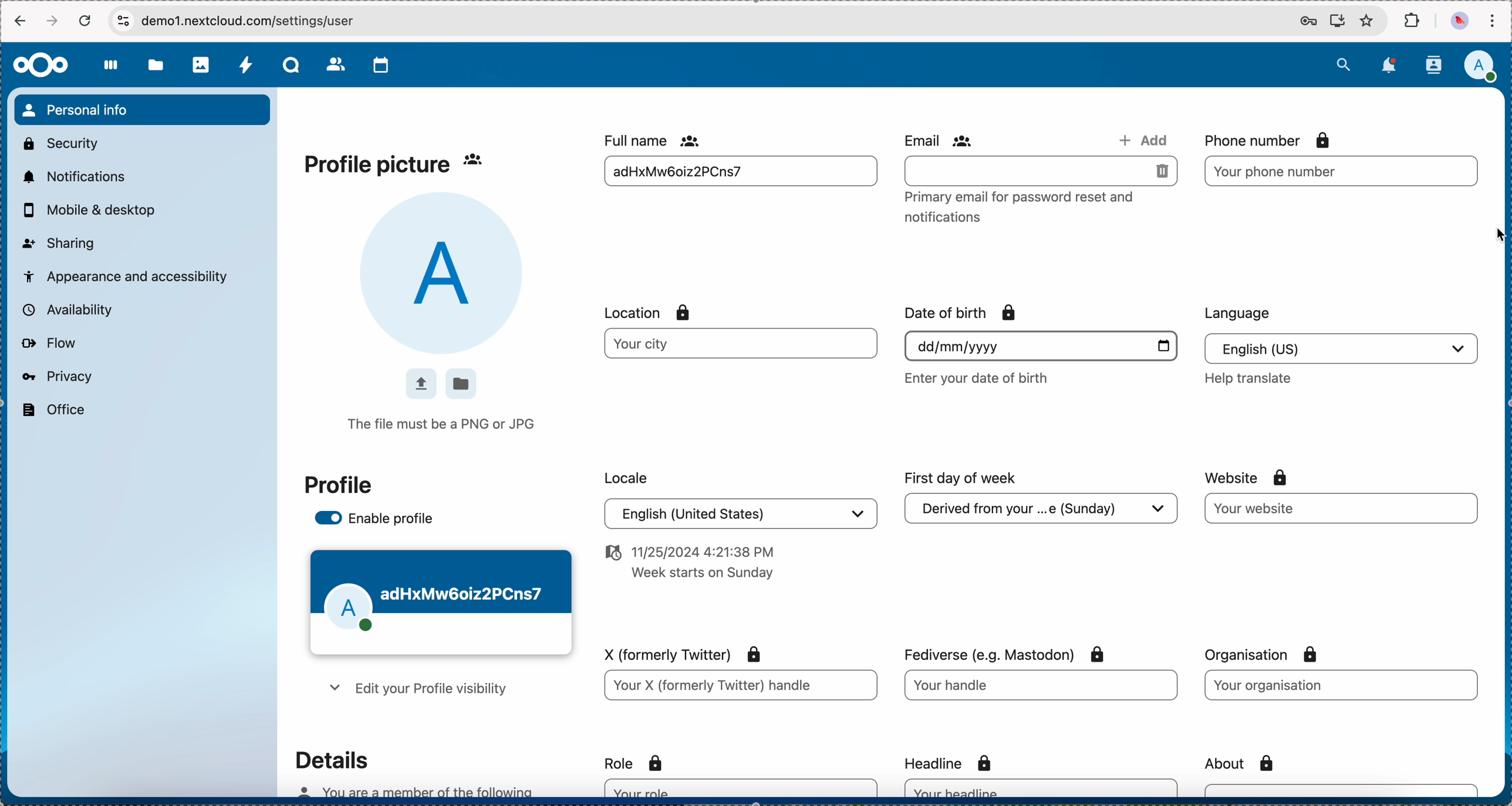 The image size is (1512, 806). I want to click on email, so click(941, 140).